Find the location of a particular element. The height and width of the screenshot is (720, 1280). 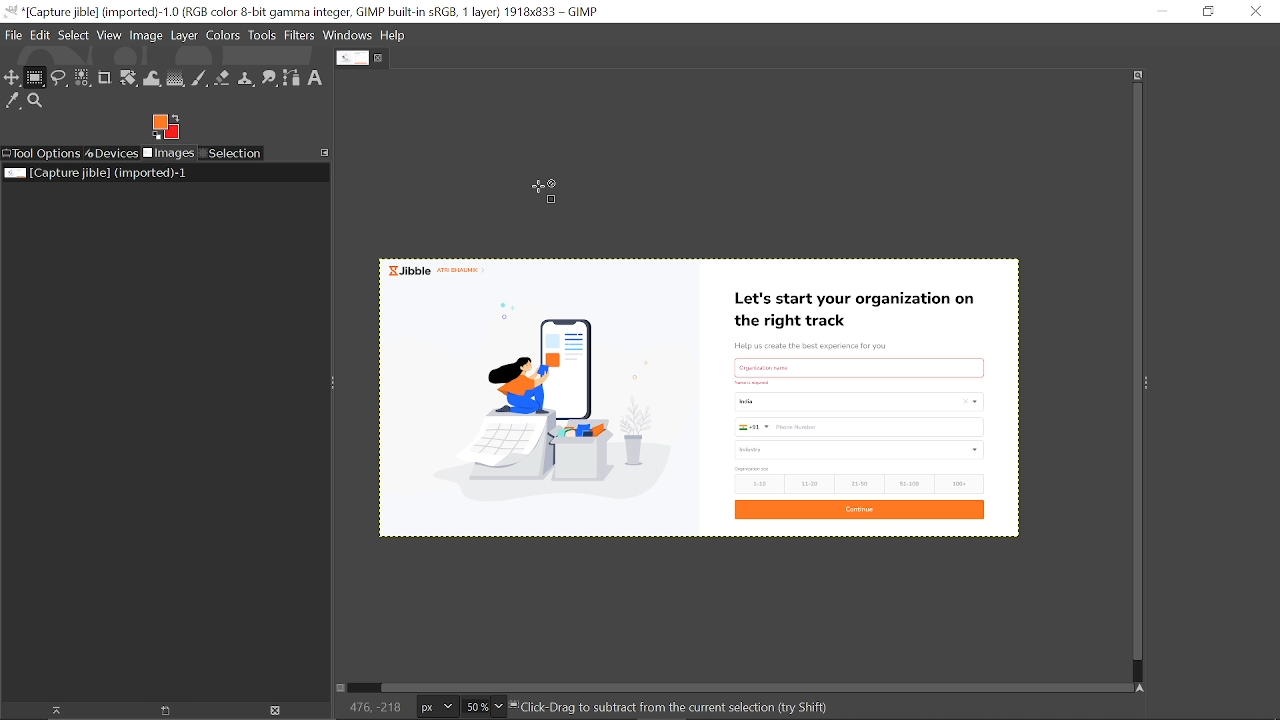

Close tab is located at coordinates (381, 58).